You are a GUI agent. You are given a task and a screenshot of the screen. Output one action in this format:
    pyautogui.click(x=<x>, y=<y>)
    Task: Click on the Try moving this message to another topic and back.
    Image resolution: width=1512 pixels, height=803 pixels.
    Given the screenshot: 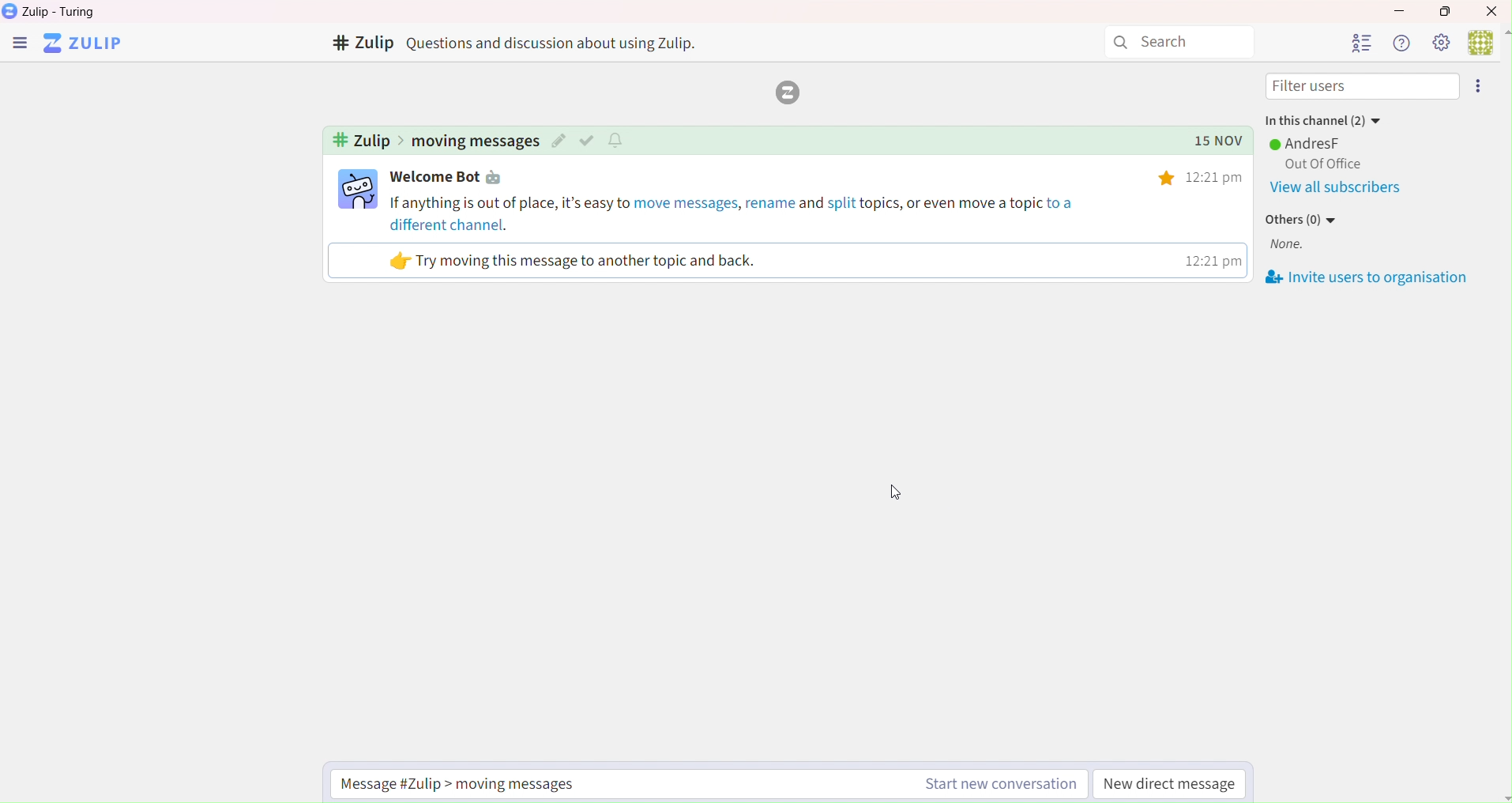 What is the action you would take?
    pyautogui.click(x=574, y=261)
    